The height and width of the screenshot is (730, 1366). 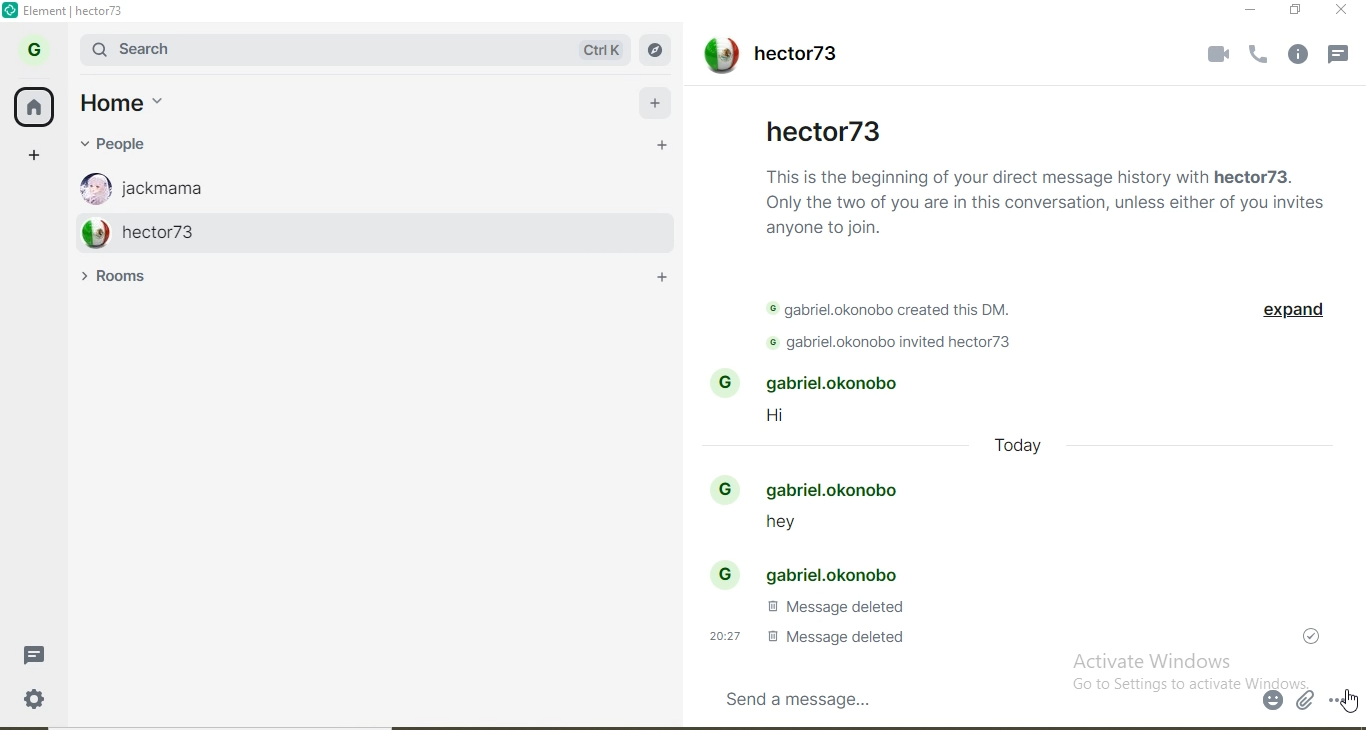 I want to click on jackmama, so click(x=344, y=184).